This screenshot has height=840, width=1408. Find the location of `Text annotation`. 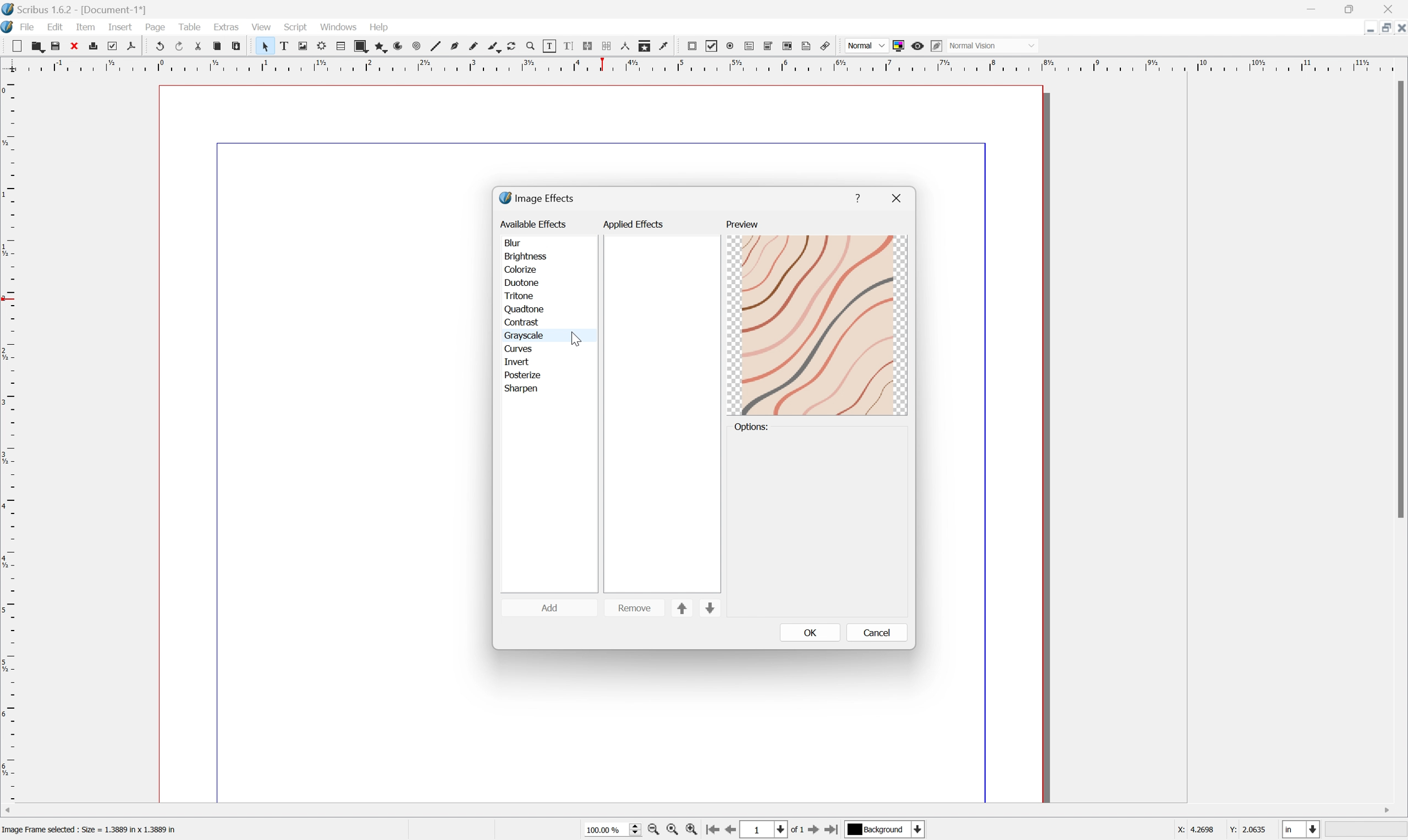

Text annotation is located at coordinates (807, 46).